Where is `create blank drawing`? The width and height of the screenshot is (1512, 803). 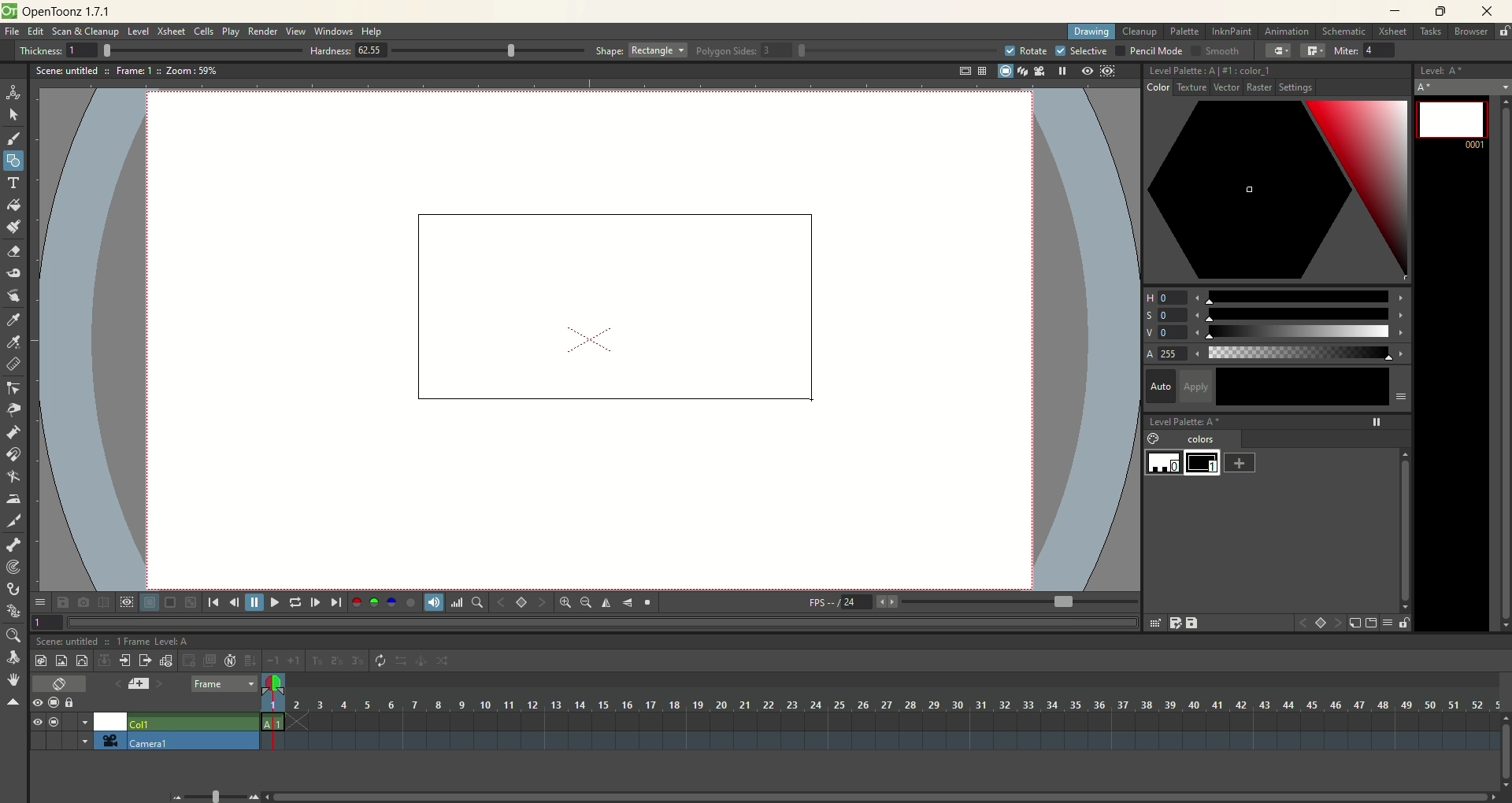
create blank drawing is located at coordinates (191, 661).